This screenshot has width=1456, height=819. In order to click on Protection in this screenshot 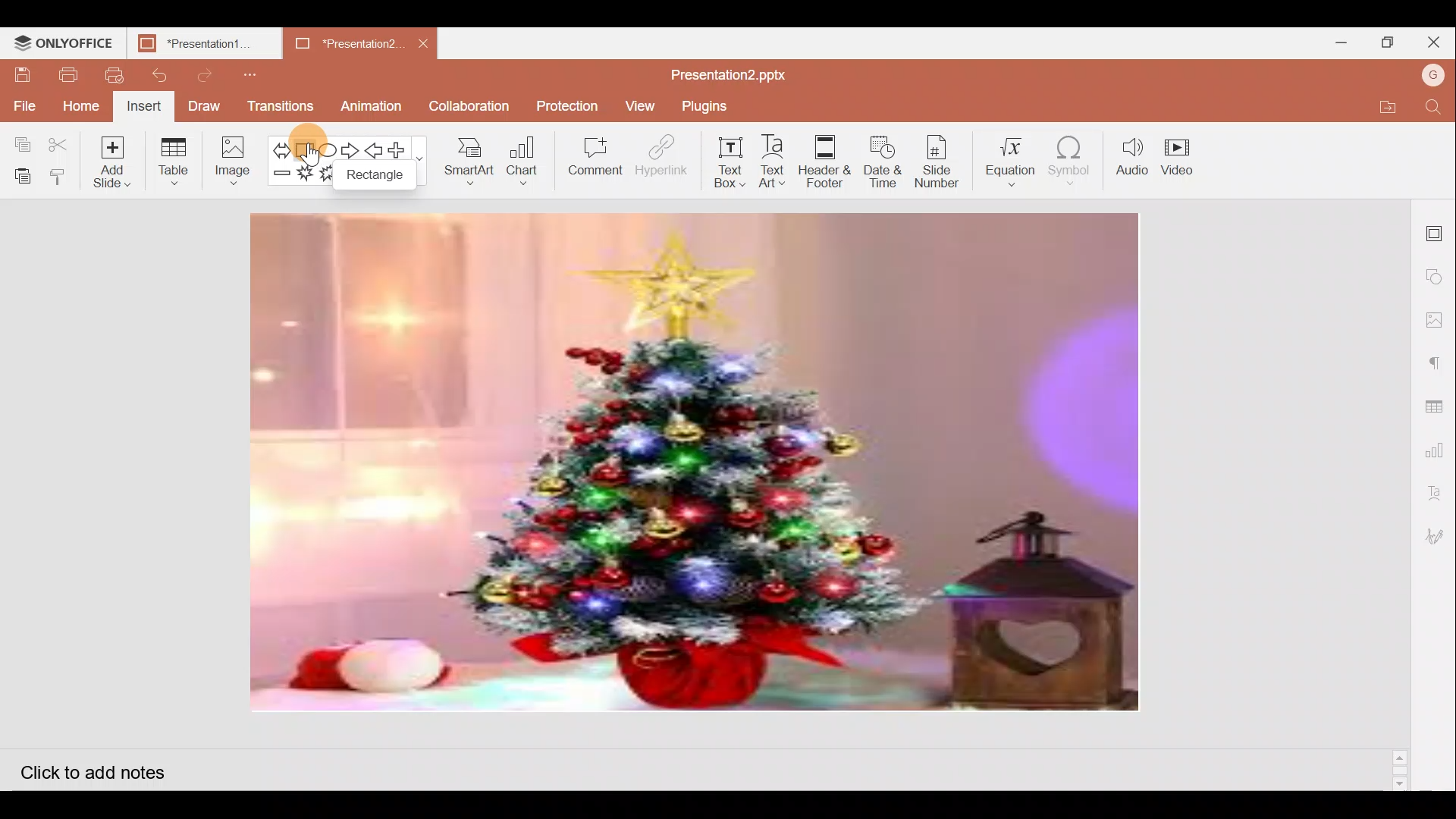, I will do `click(563, 105)`.